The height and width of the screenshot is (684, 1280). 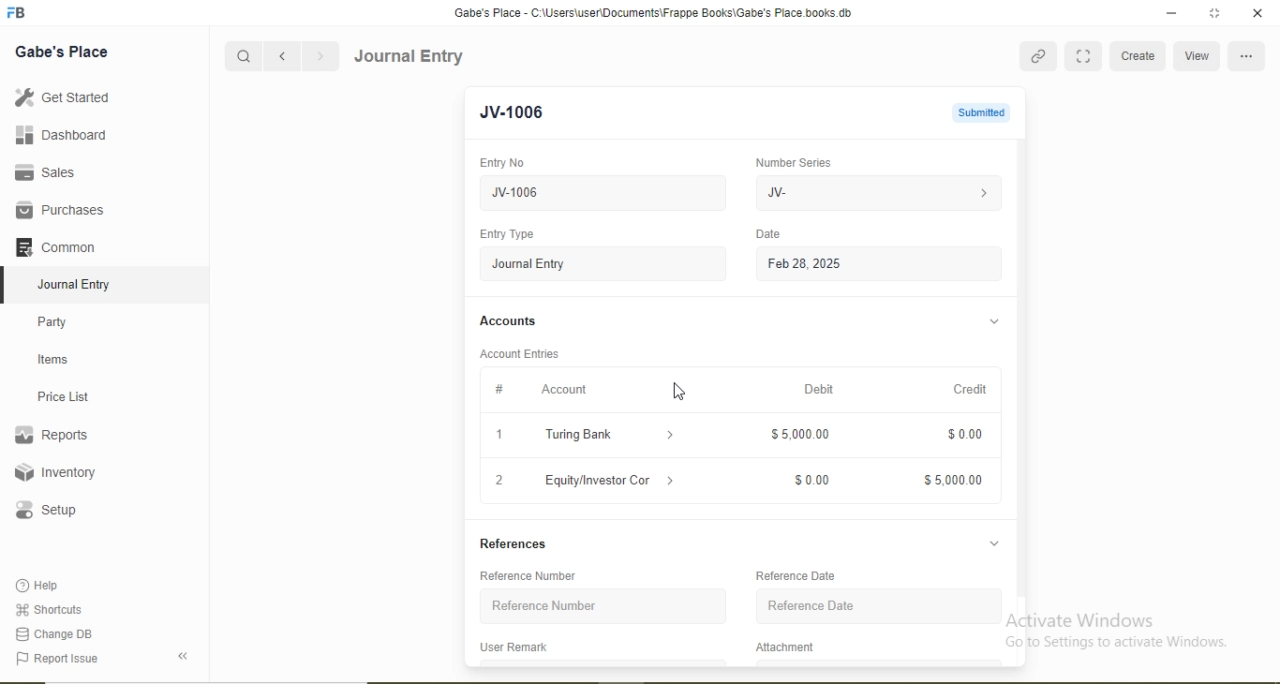 What do you see at coordinates (552, 193) in the screenshot?
I see `JV-1006` at bounding box center [552, 193].